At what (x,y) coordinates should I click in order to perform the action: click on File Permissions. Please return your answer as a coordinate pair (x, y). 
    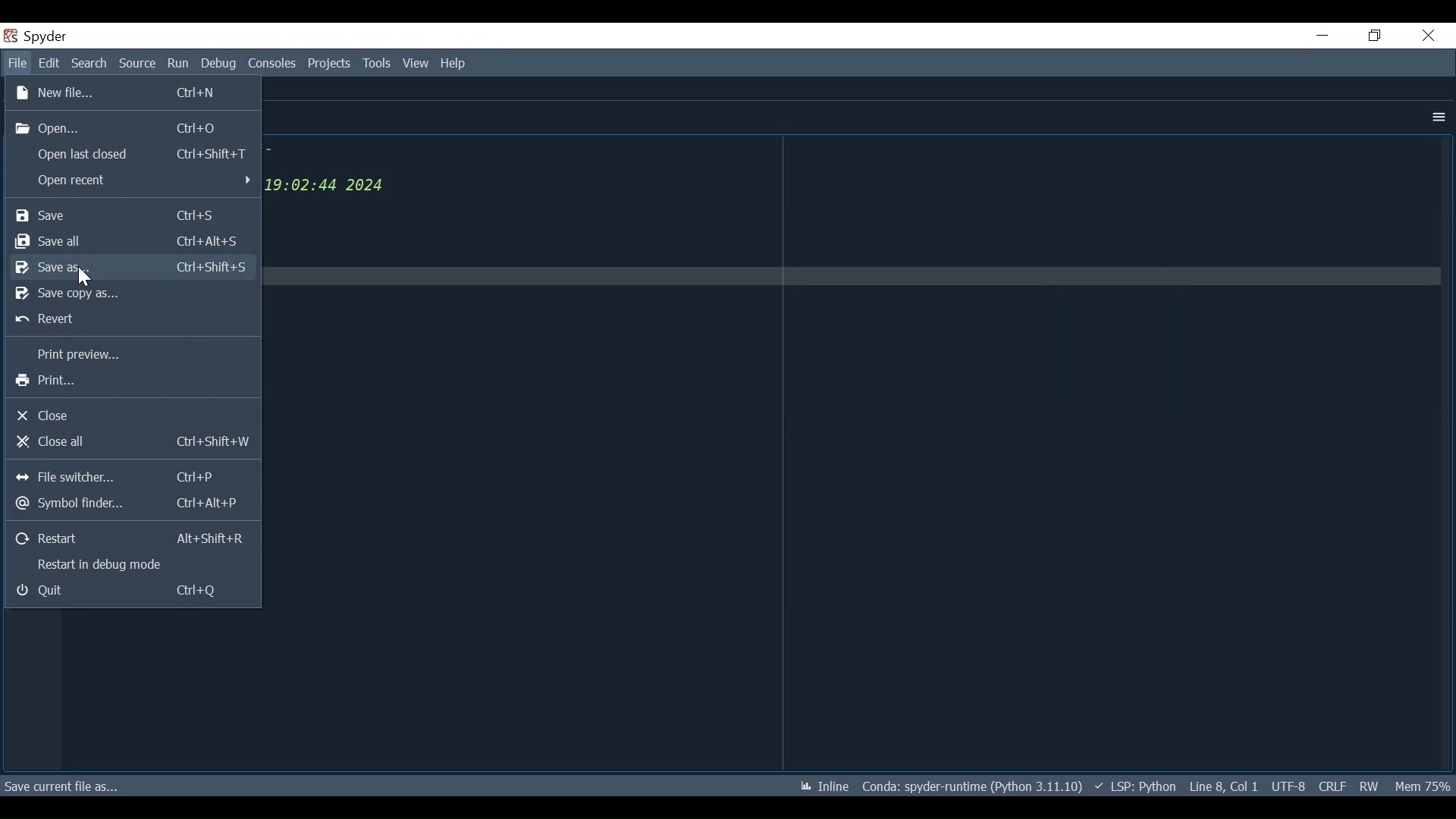
    Looking at the image, I should click on (1368, 786).